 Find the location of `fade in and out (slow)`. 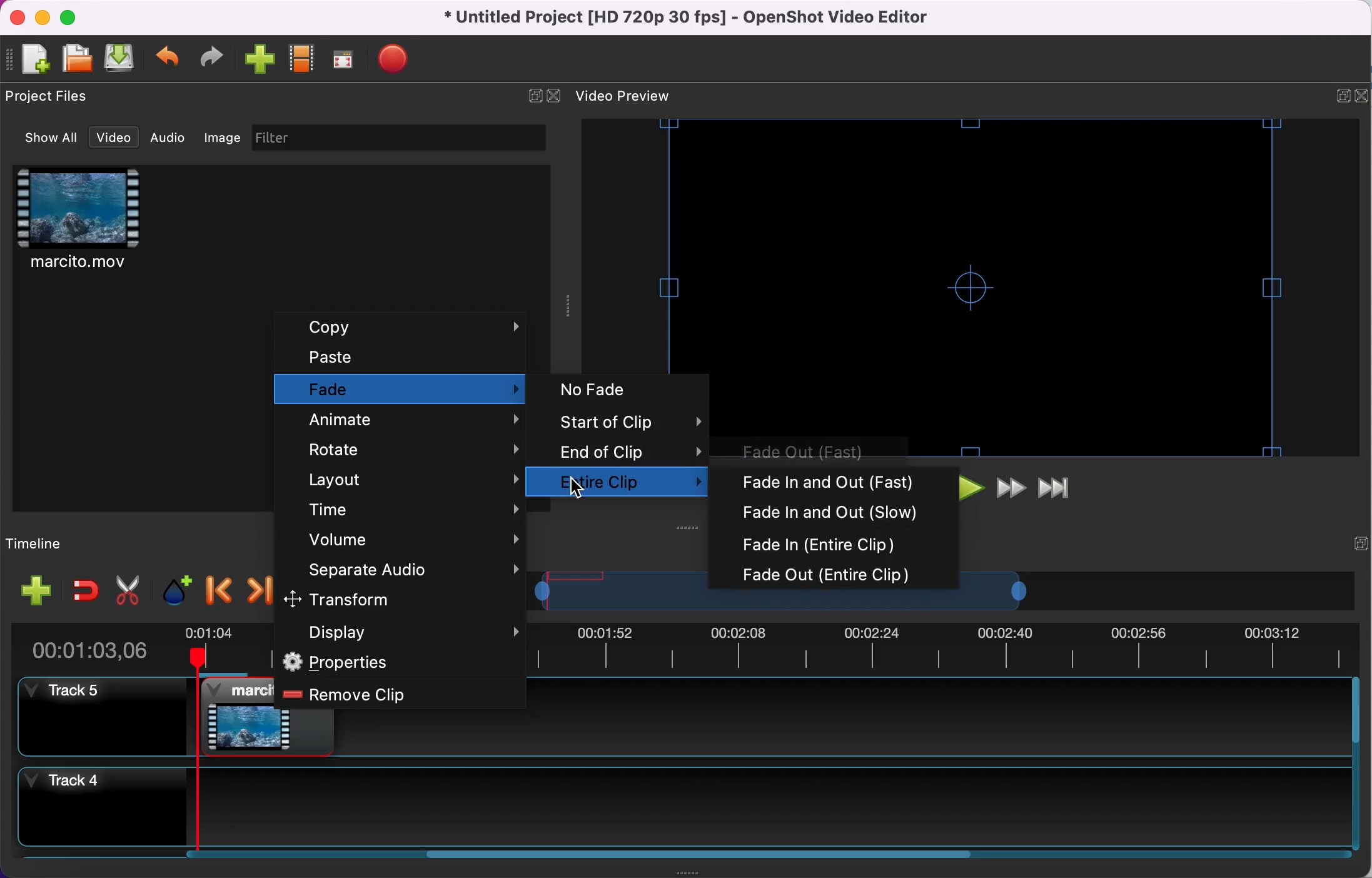

fade in and out (slow) is located at coordinates (834, 512).